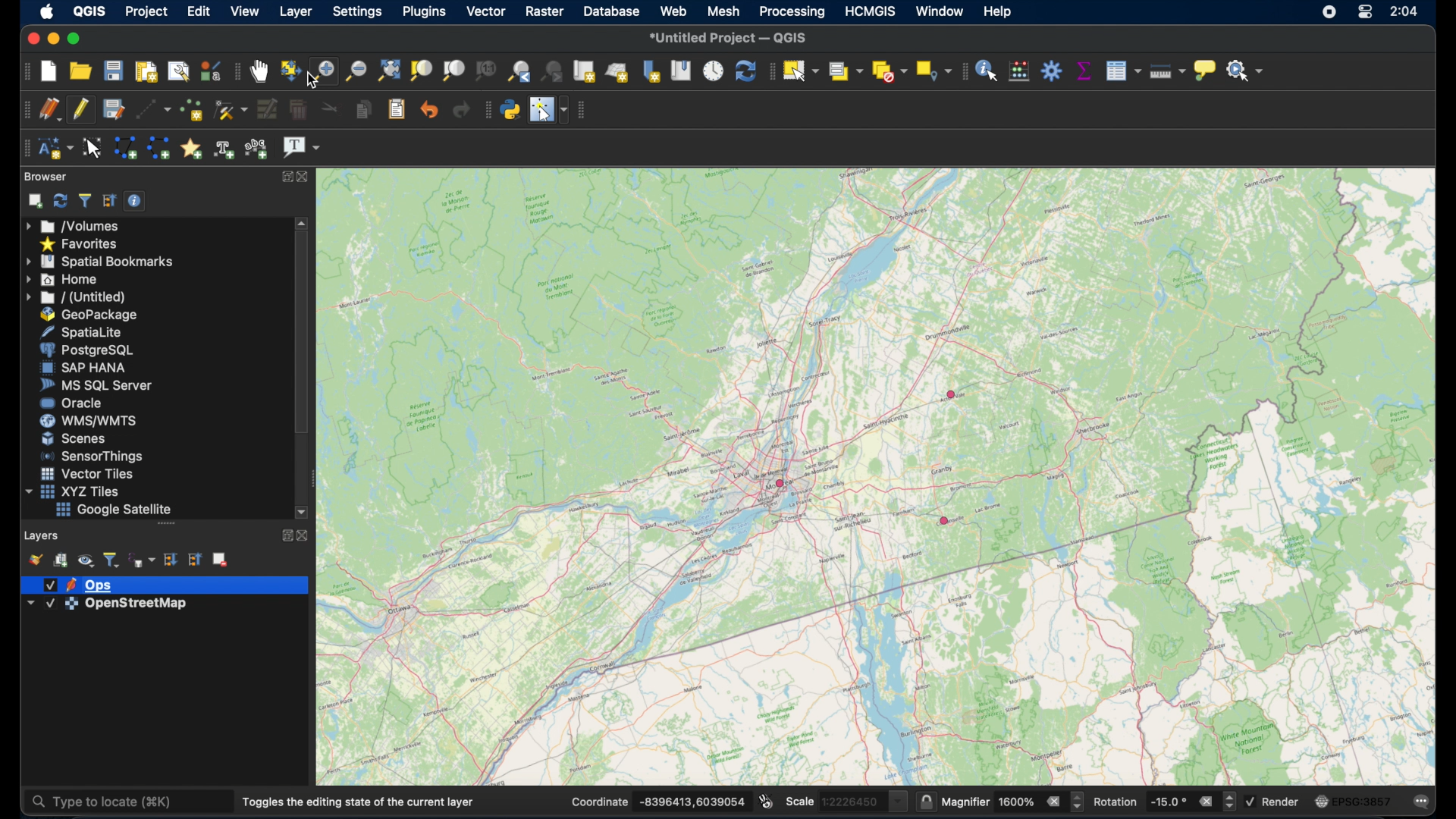  I want to click on point feature, so click(945, 520).